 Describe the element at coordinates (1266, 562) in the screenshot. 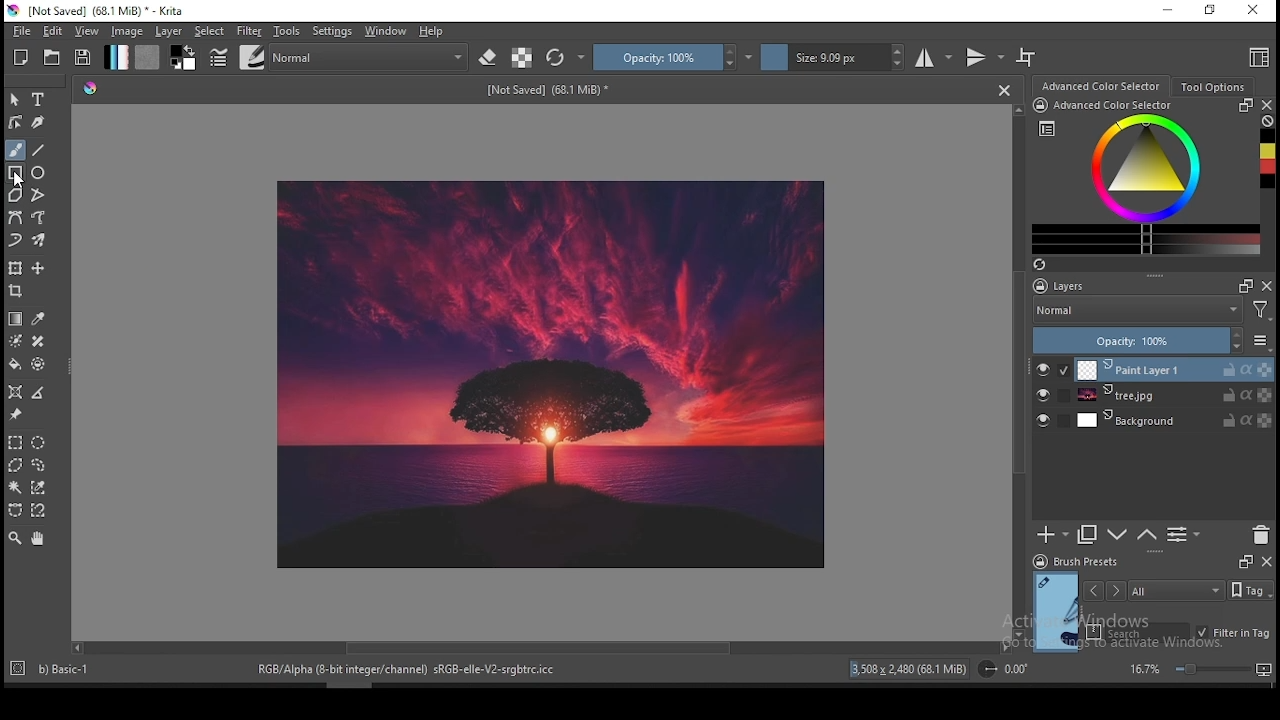

I see `close docker` at that location.